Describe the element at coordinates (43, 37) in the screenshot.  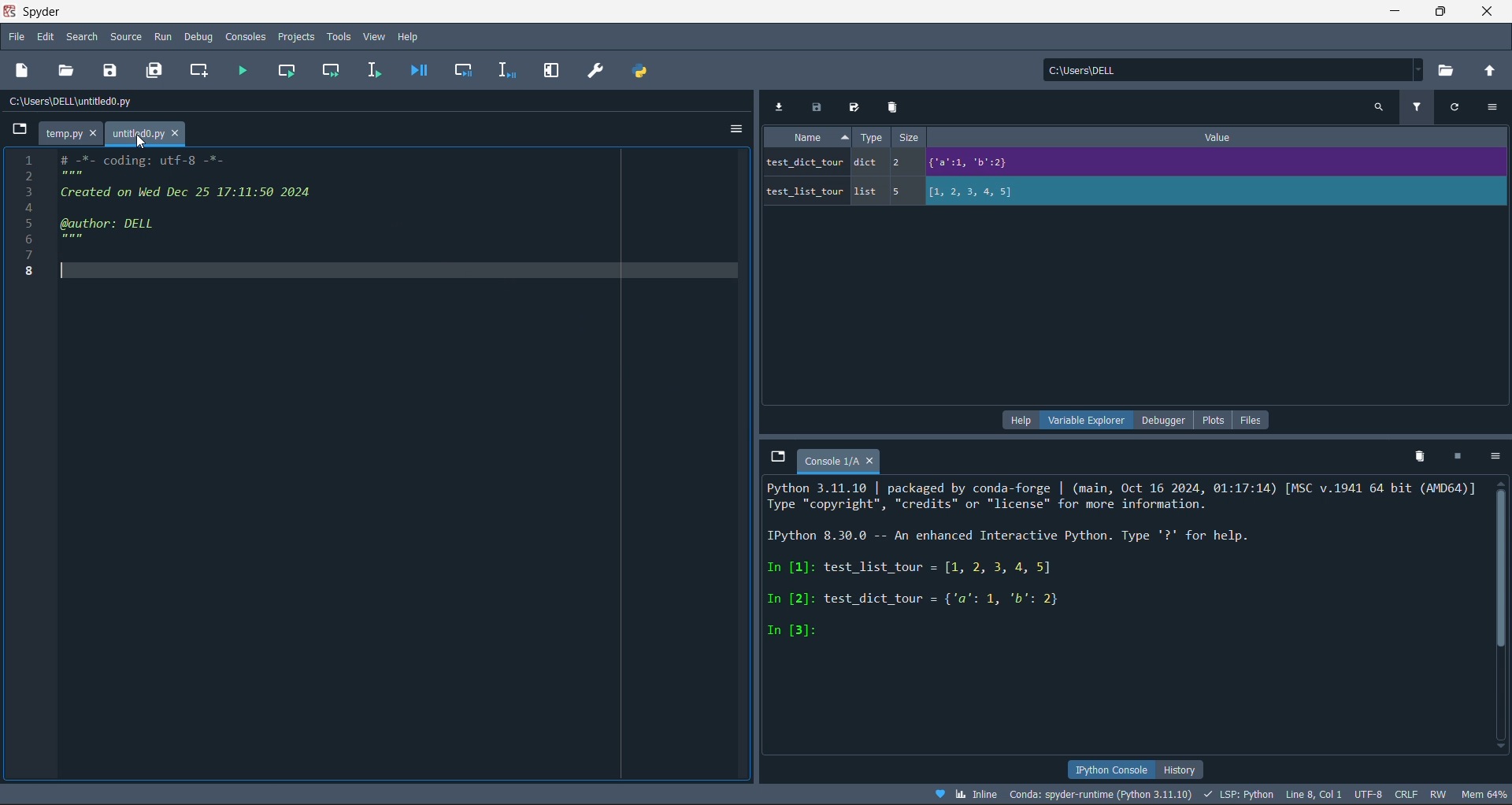
I see `edit` at that location.